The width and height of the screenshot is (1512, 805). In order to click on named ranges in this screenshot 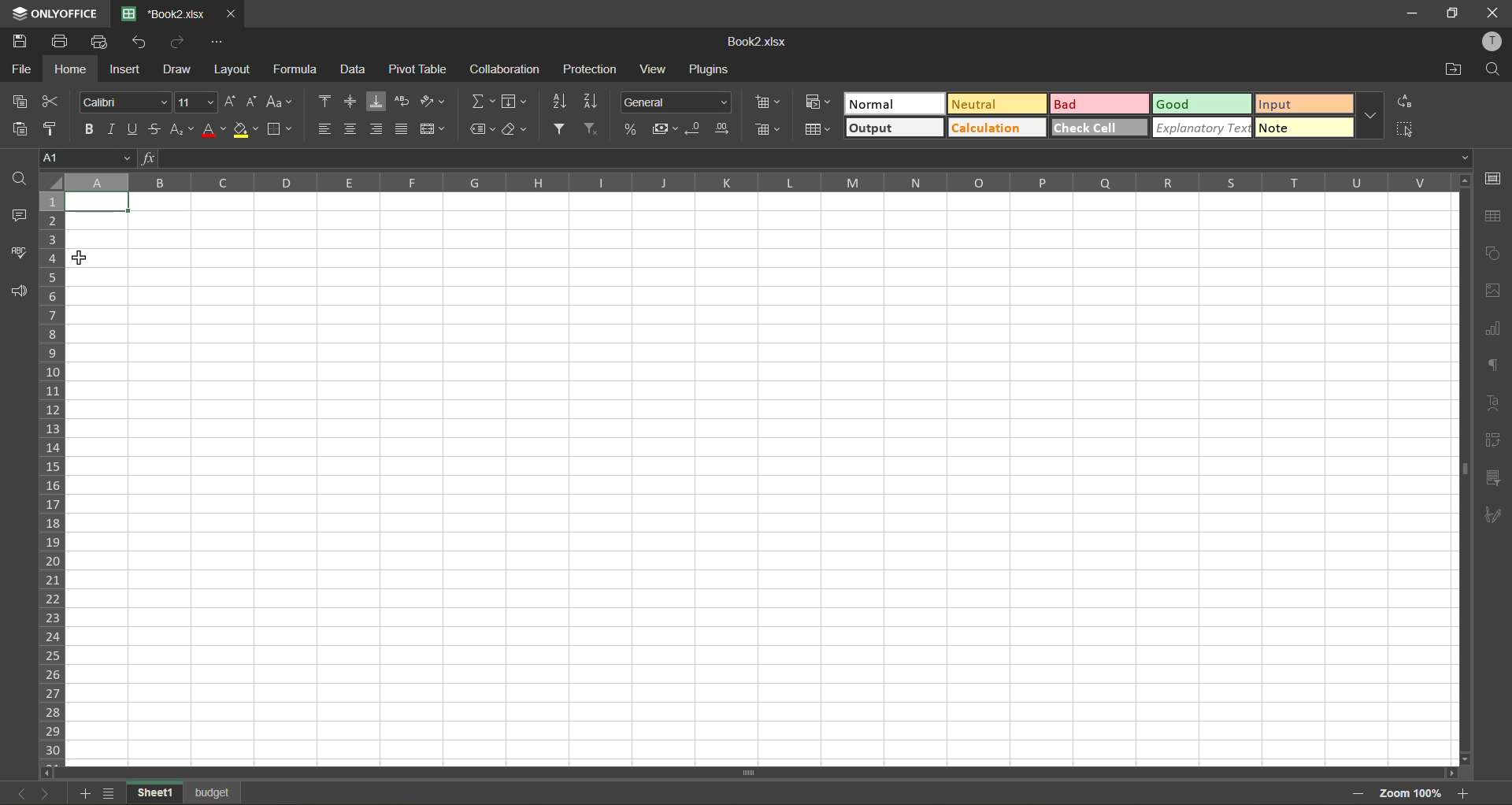, I will do `click(482, 128)`.